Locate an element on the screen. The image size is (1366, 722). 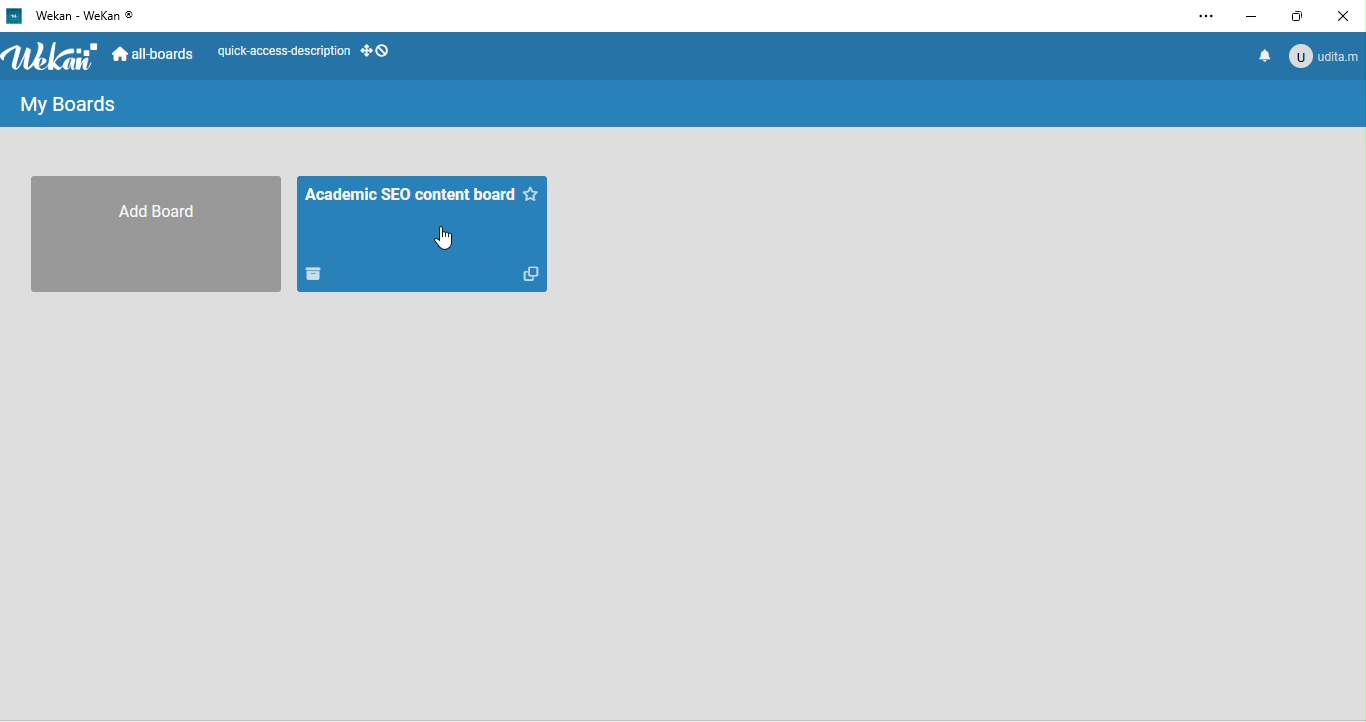
Wekan - WeKan is located at coordinates (79, 18).